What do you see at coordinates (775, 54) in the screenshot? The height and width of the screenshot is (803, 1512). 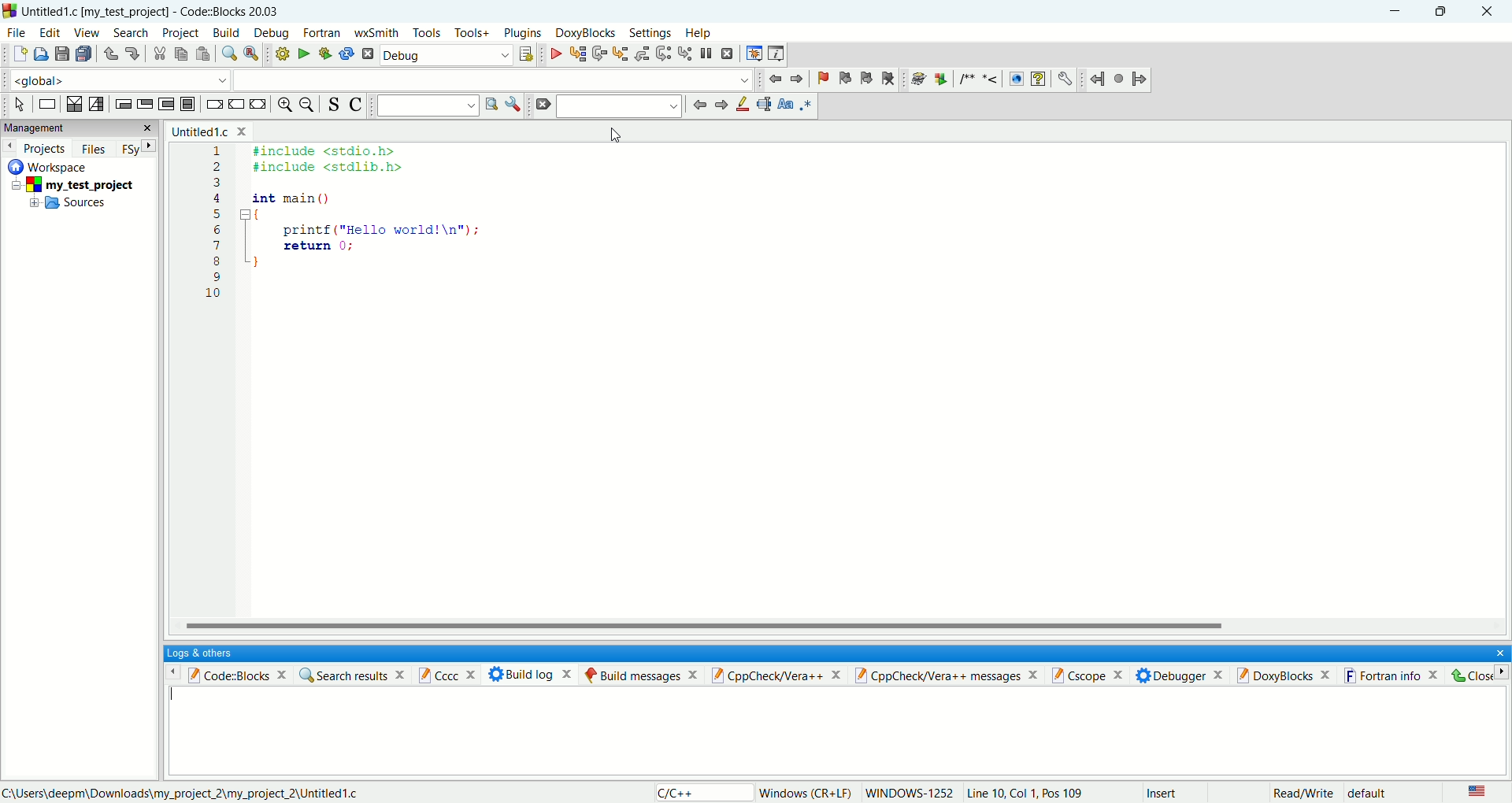 I see `various info` at bounding box center [775, 54].